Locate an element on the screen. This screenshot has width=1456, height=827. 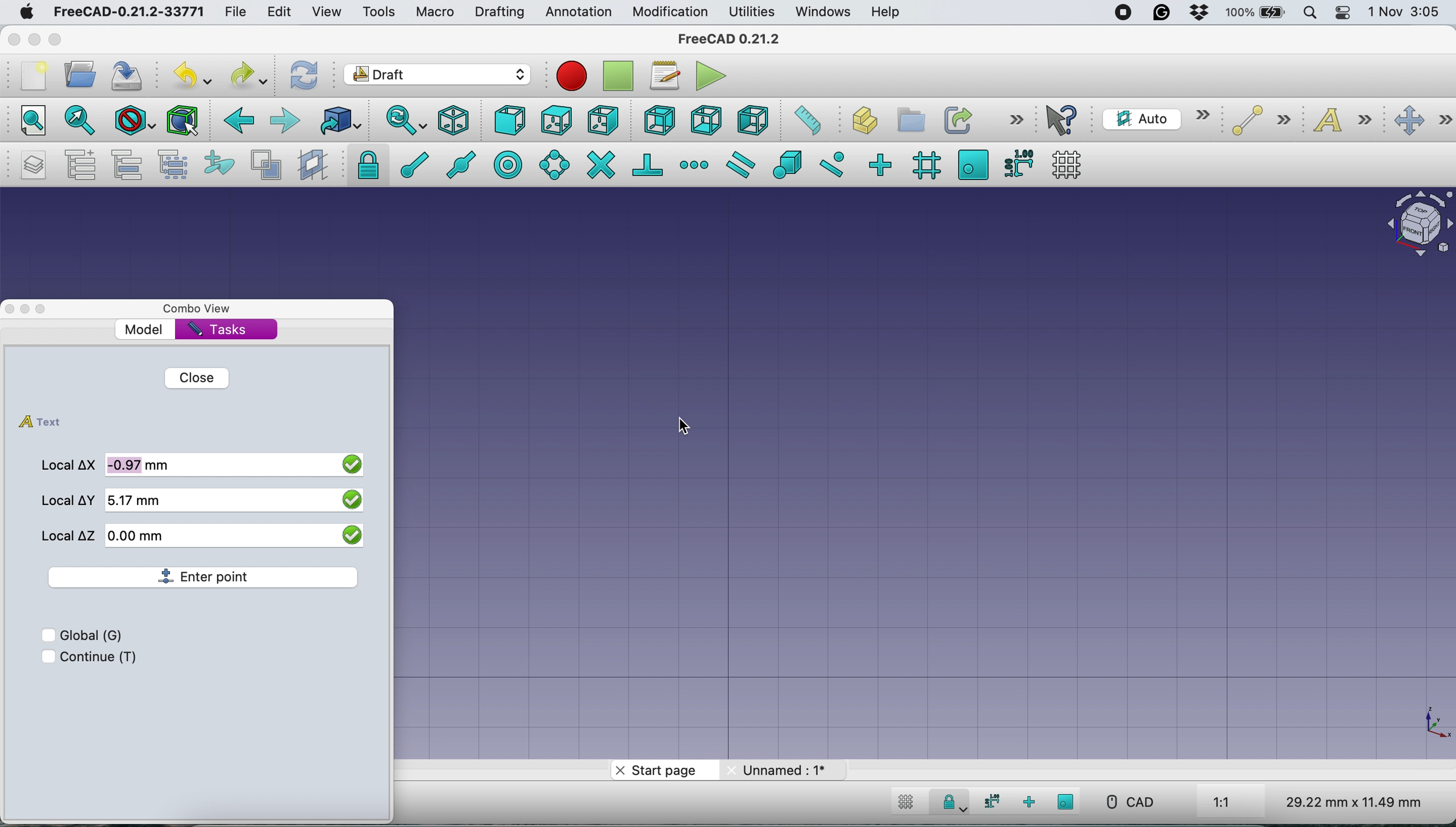
record macros is located at coordinates (568, 76).